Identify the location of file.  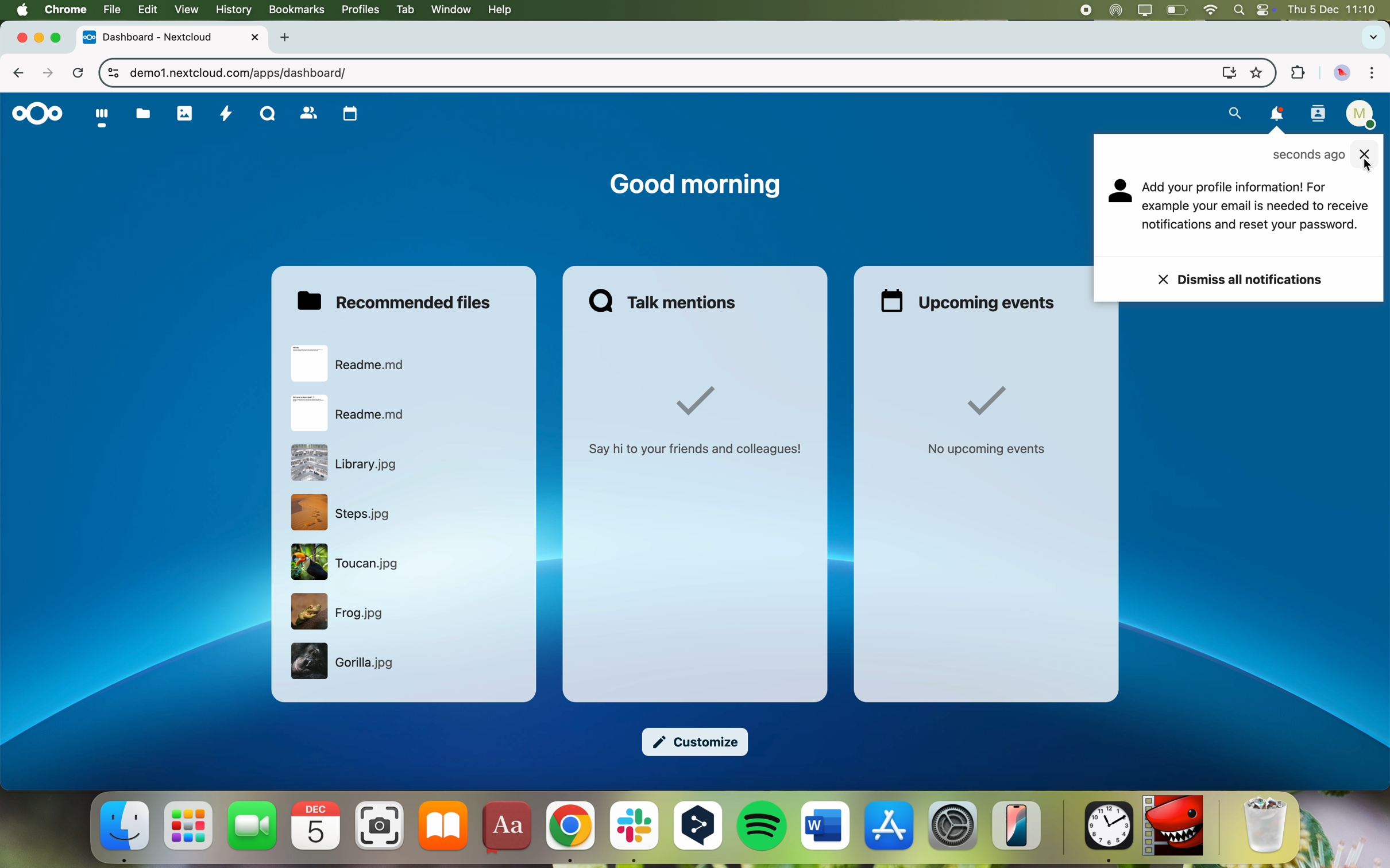
(352, 414).